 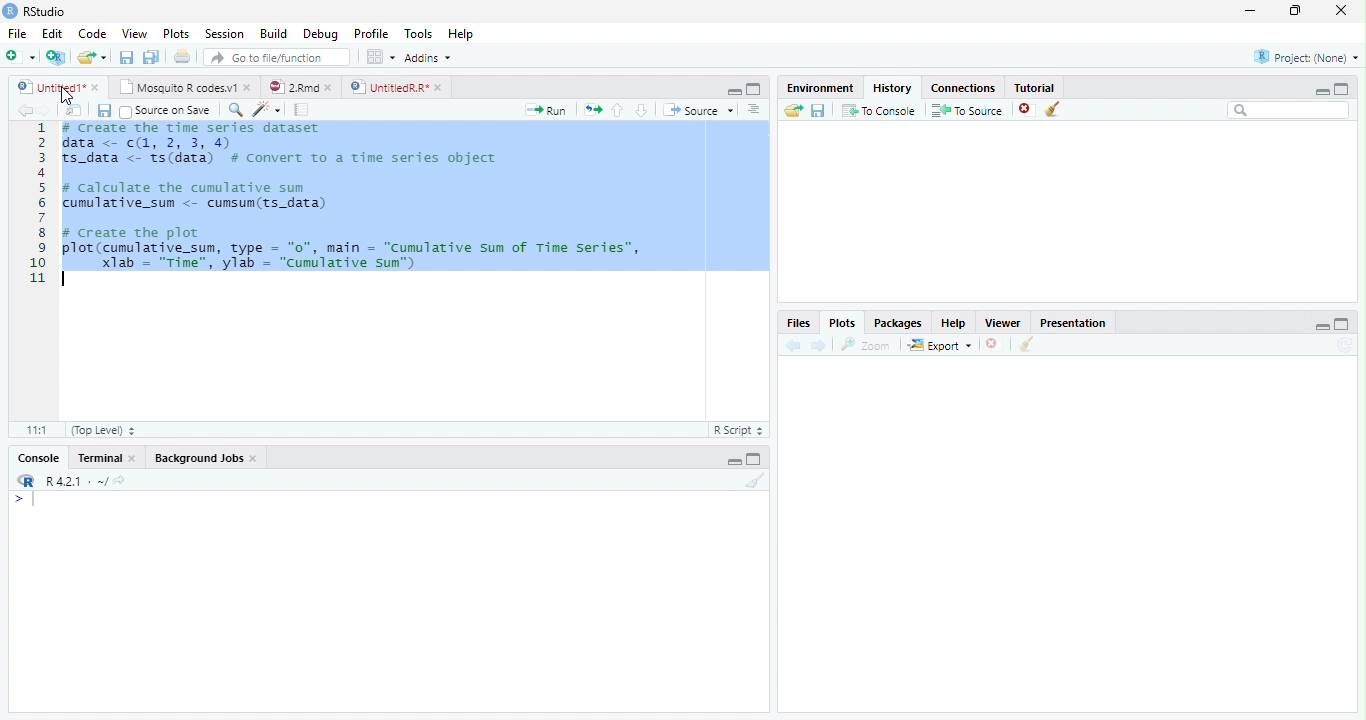 I want to click on Tools, so click(x=418, y=35).